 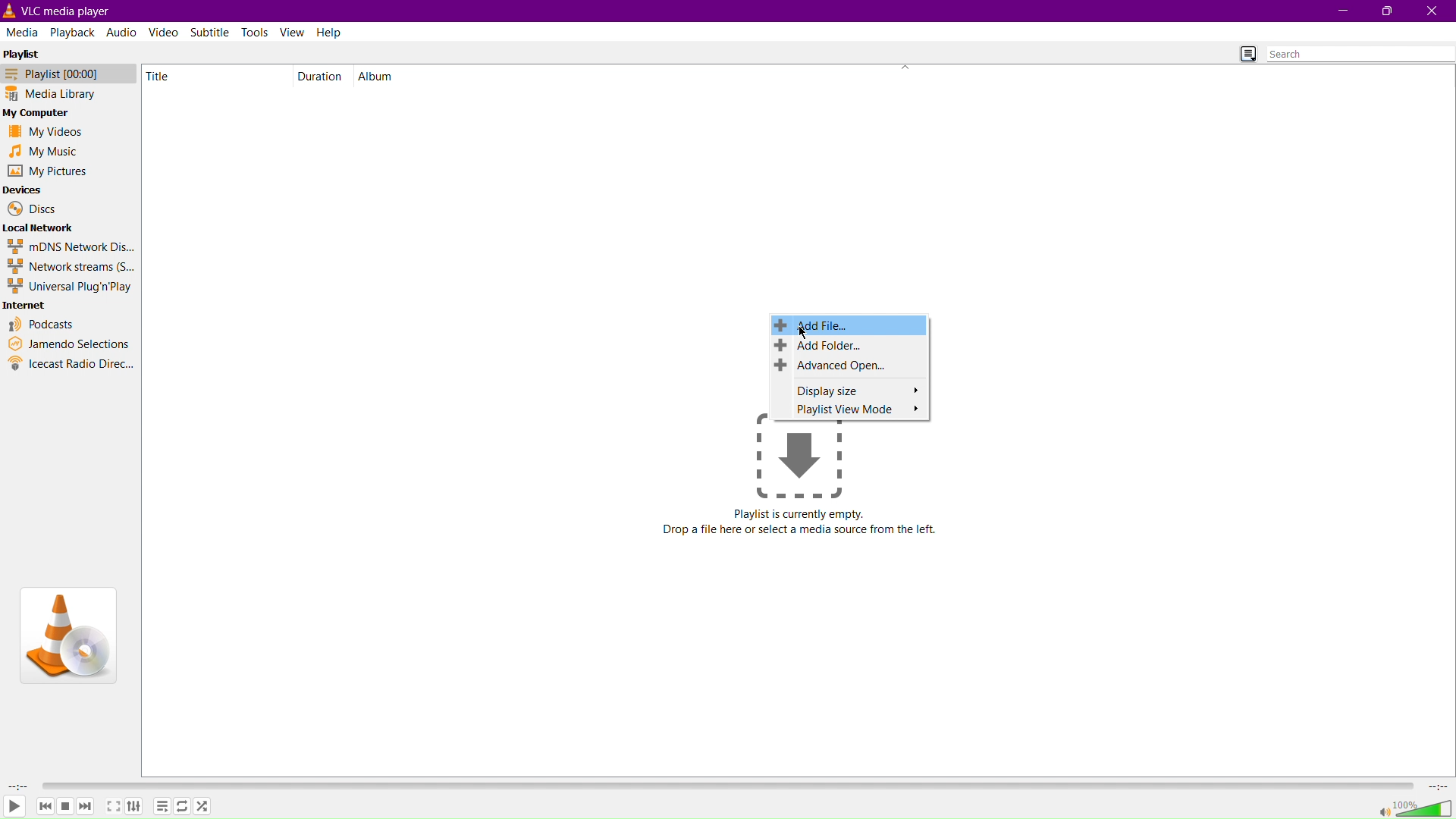 What do you see at coordinates (807, 335) in the screenshot?
I see `cursor` at bounding box center [807, 335].